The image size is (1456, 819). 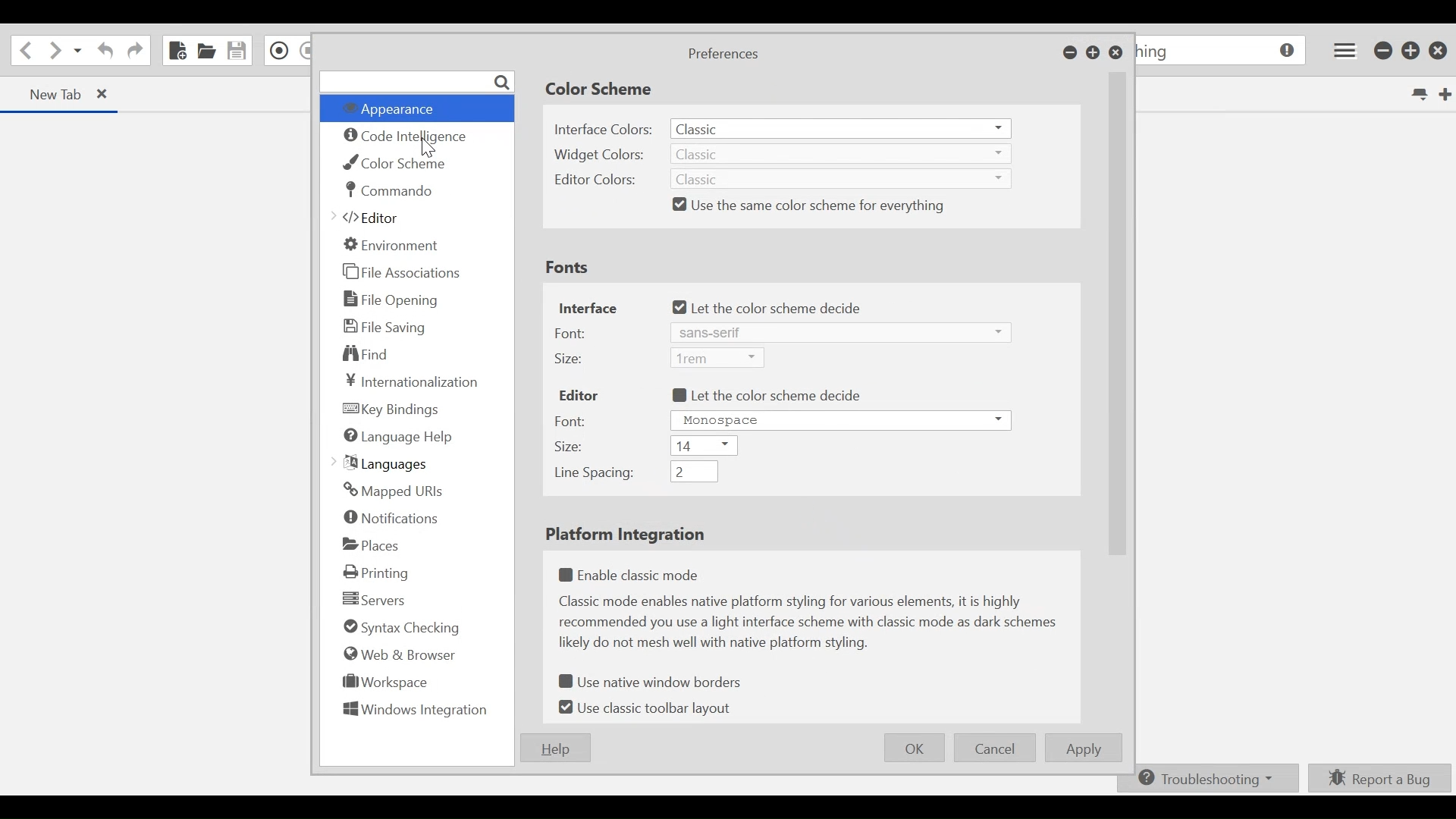 I want to click on Classic mode enables native platform styling for various elements, it is highly
recommended you use a light interface scheme with classic mode as dark schemes
ikely do not mesh well with native platform styling., so click(x=811, y=625).